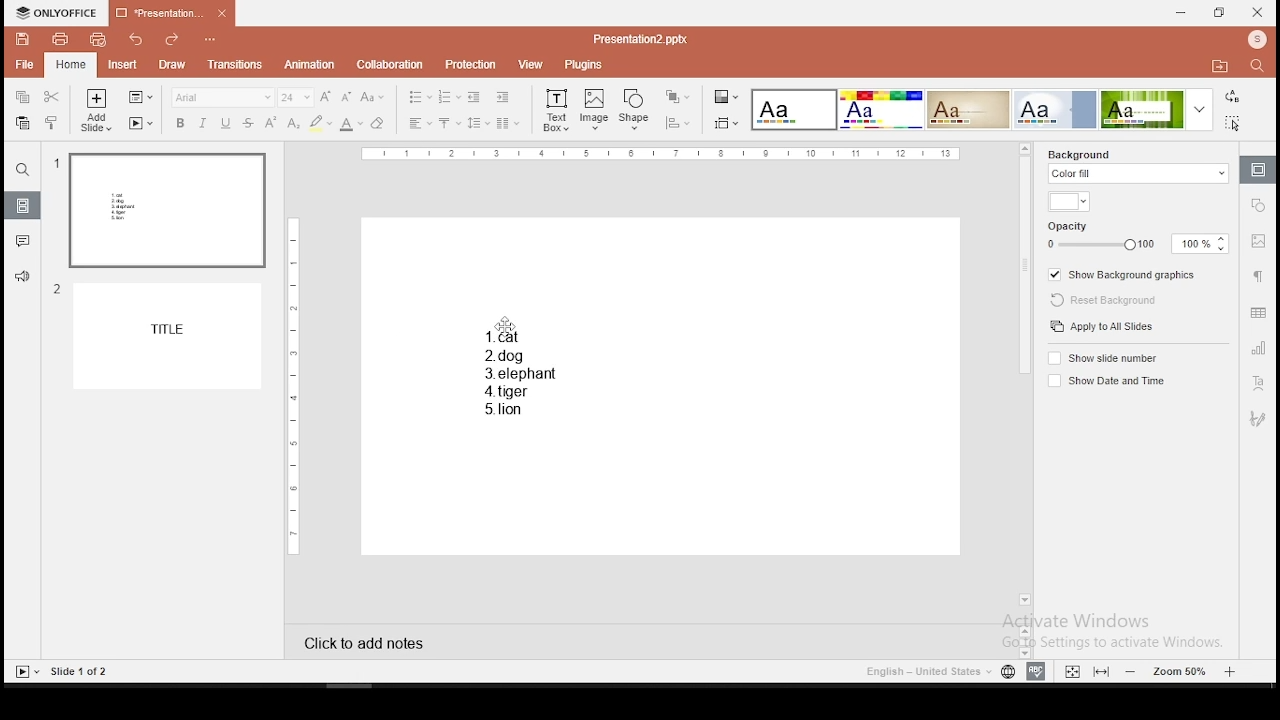 The height and width of the screenshot is (720, 1280). What do you see at coordinates (173, 42) in the screenshot?
I see `redo` at bounding box center [173, 42].